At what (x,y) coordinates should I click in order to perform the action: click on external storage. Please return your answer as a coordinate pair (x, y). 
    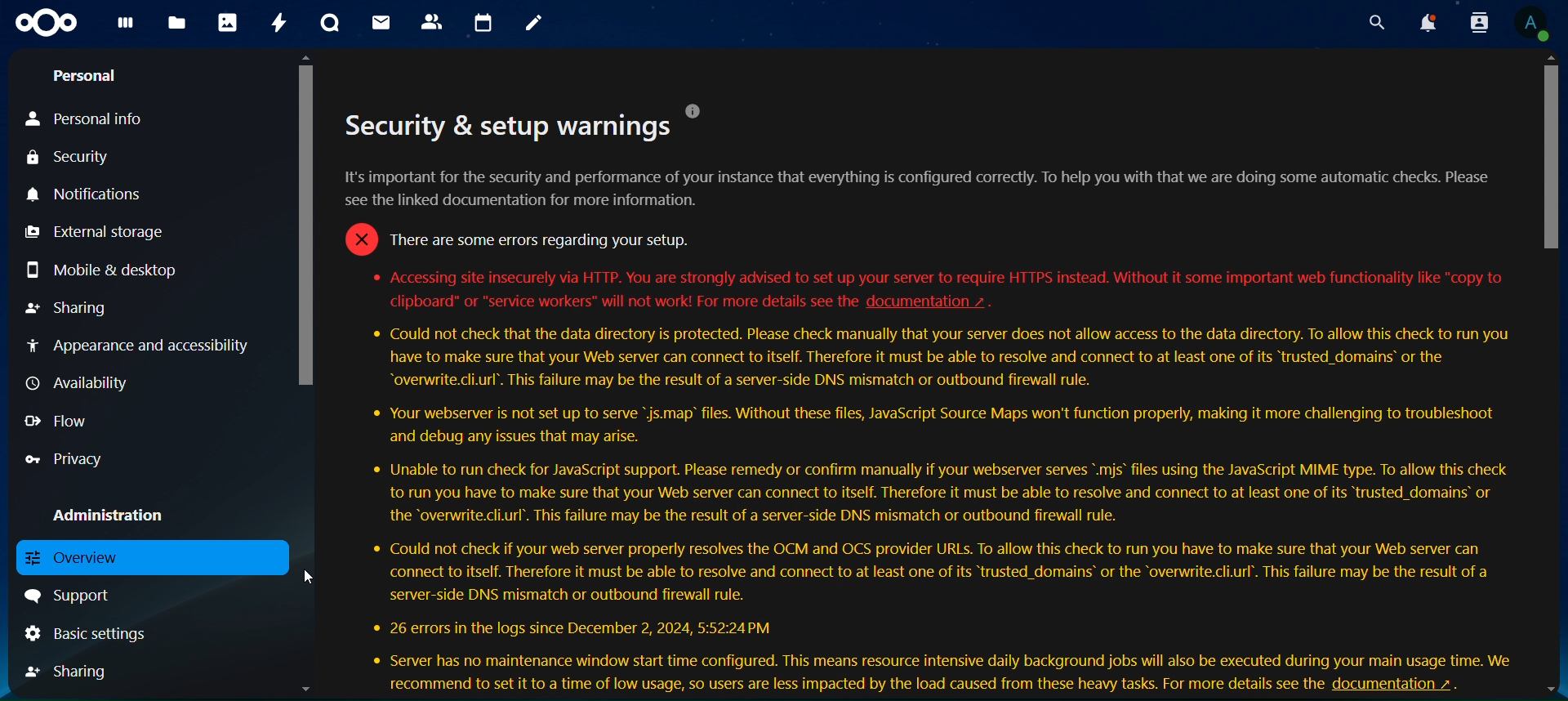
    Looking at the image, I should click on (93, 232).